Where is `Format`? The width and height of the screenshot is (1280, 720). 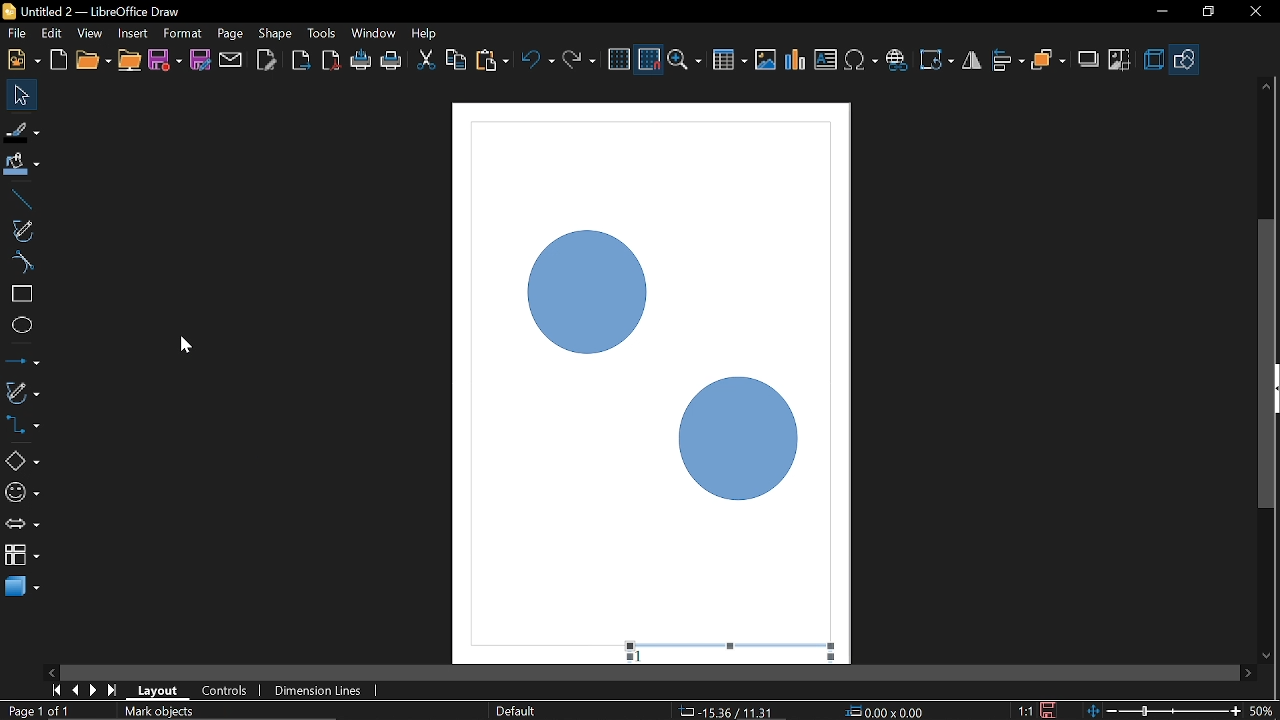
Format is located at coordinates (182, 34).